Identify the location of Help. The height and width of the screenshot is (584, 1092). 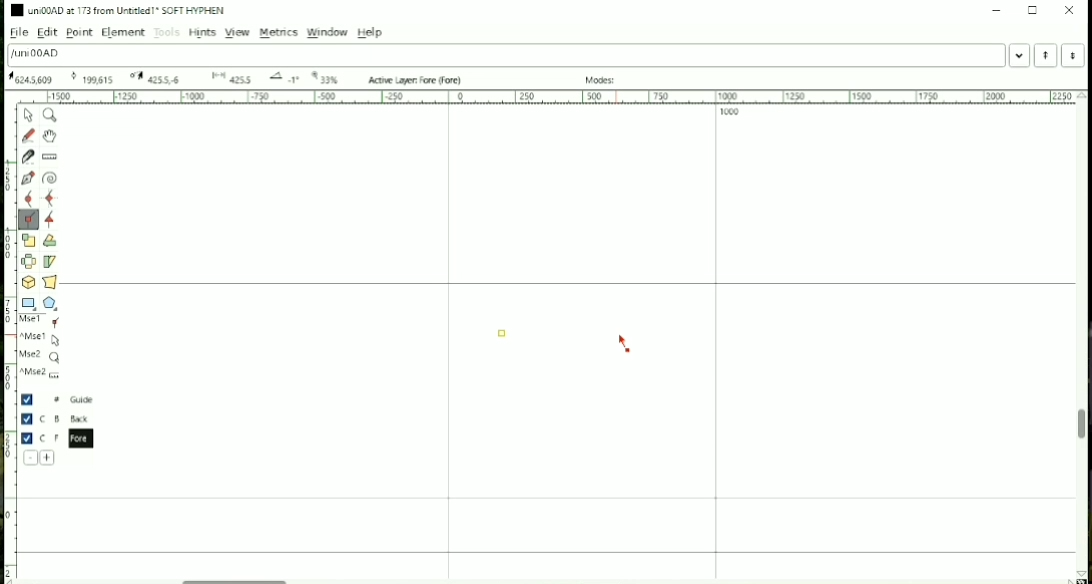
(370, 32).